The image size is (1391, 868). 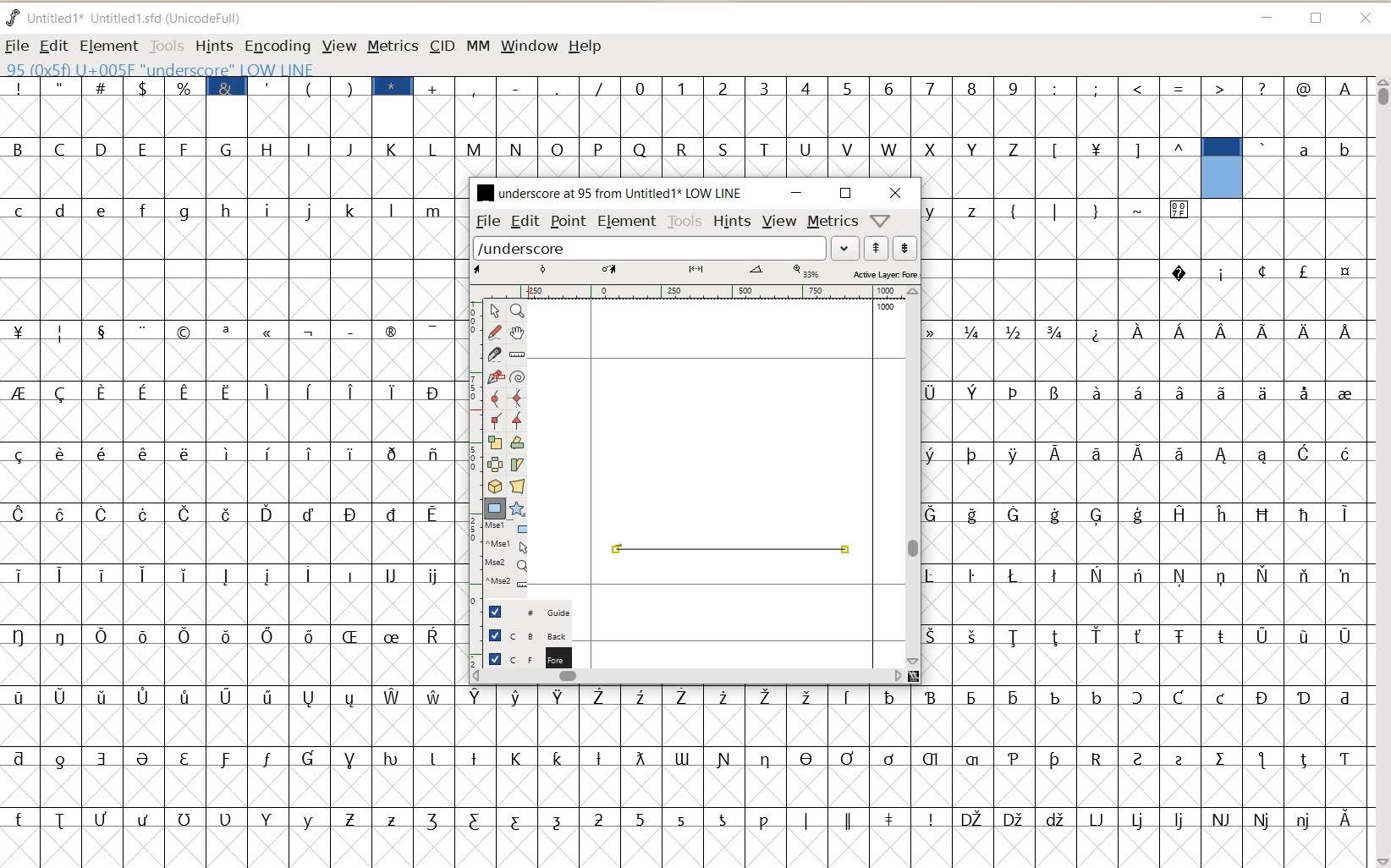 I want to click on ELEMENT, so click(x=108, y=47).